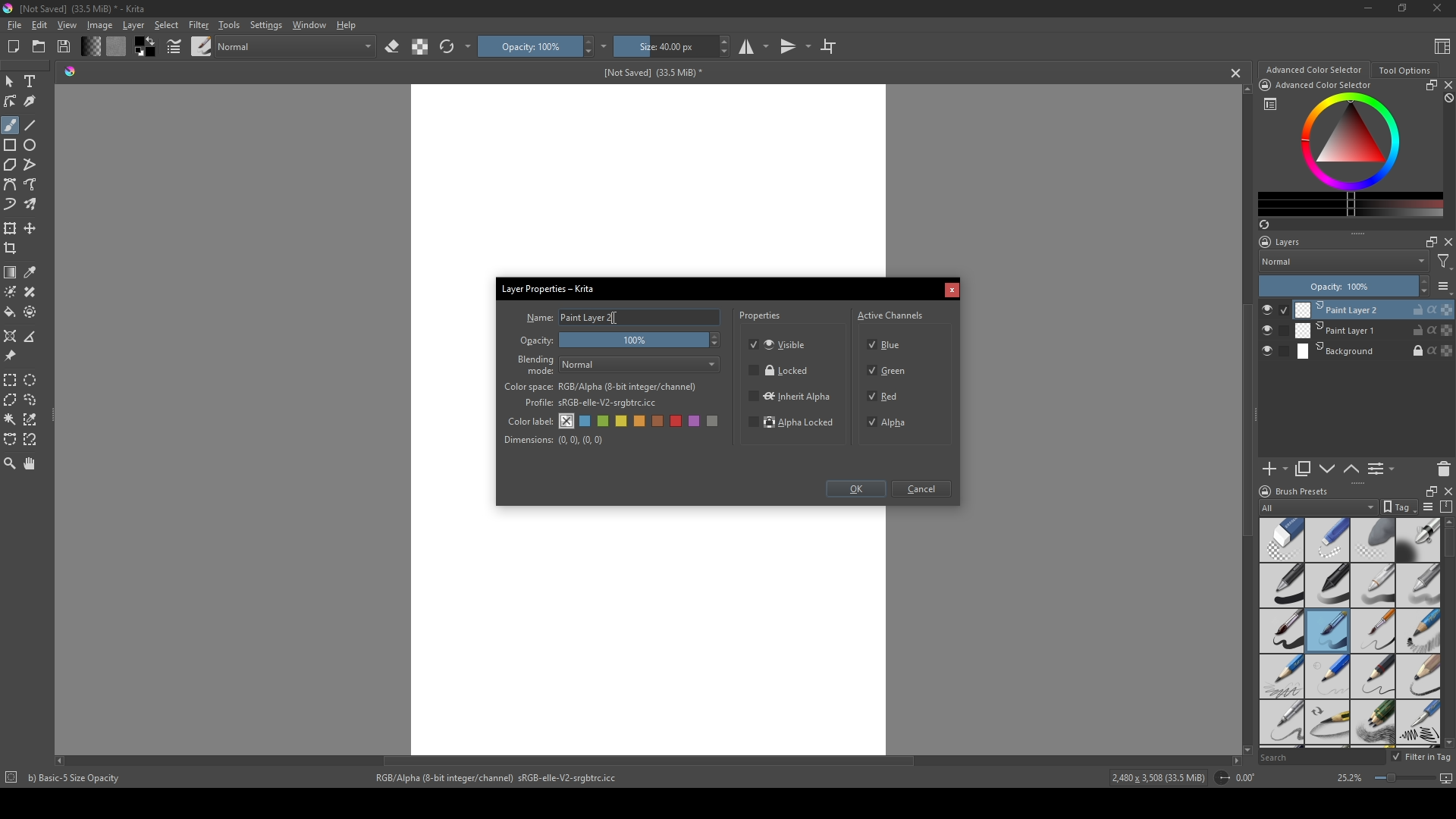  Describe the element at coordinates (202, 45) in the screenshot. I see `brush` at that location.